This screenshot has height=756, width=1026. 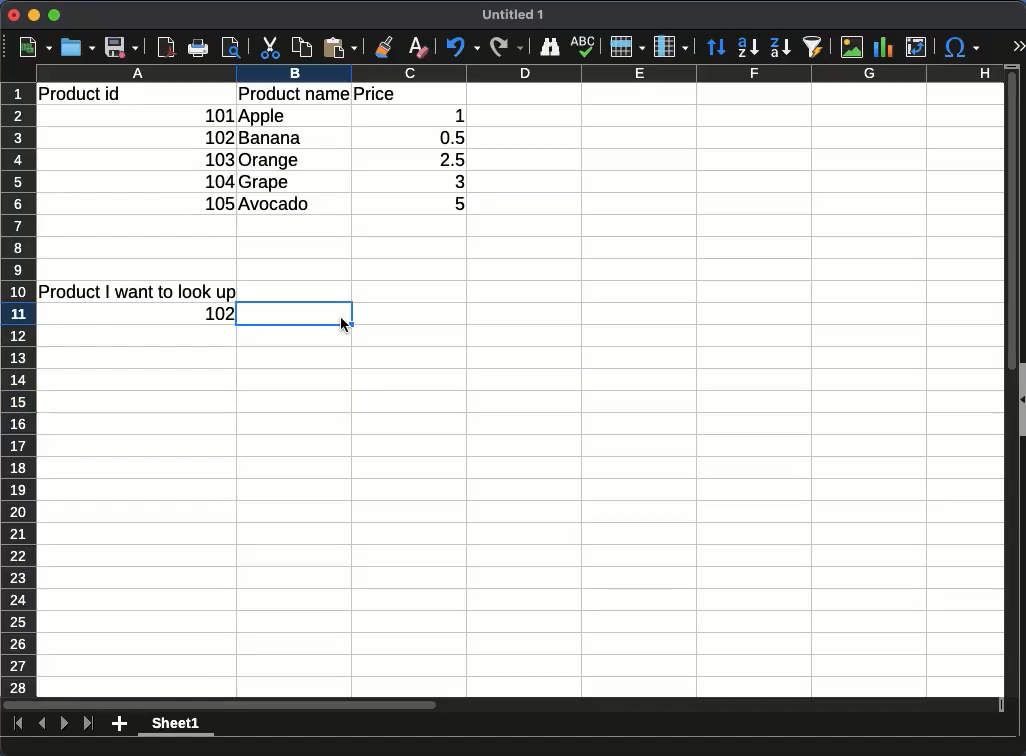 I want to click on Horizontal scroll, so click(x=504, y=705).